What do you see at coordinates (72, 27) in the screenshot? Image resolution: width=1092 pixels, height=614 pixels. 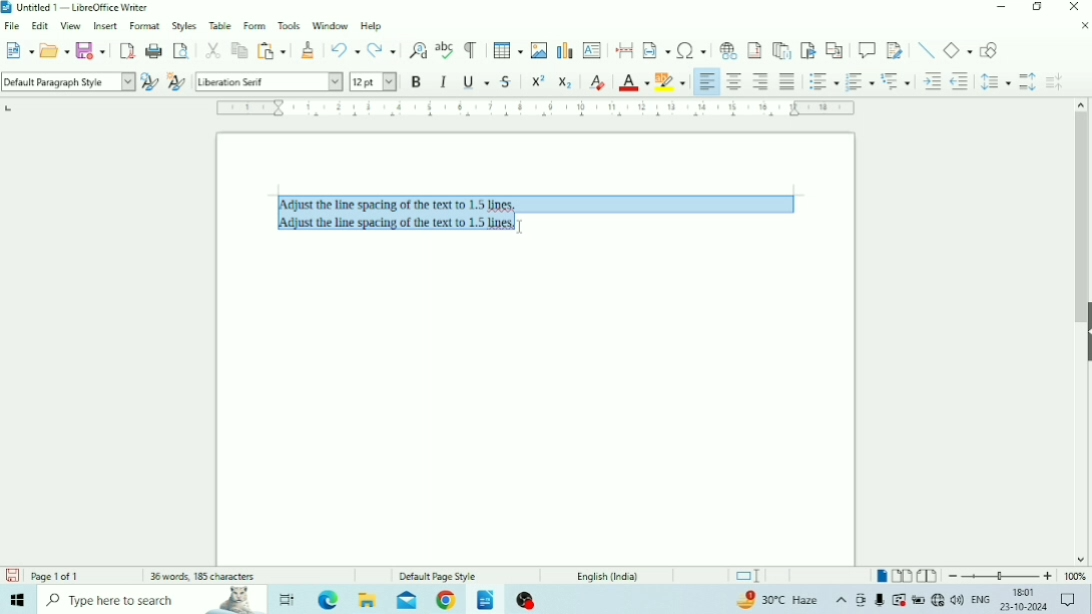 I see `View` at bounding box center [72, 27].